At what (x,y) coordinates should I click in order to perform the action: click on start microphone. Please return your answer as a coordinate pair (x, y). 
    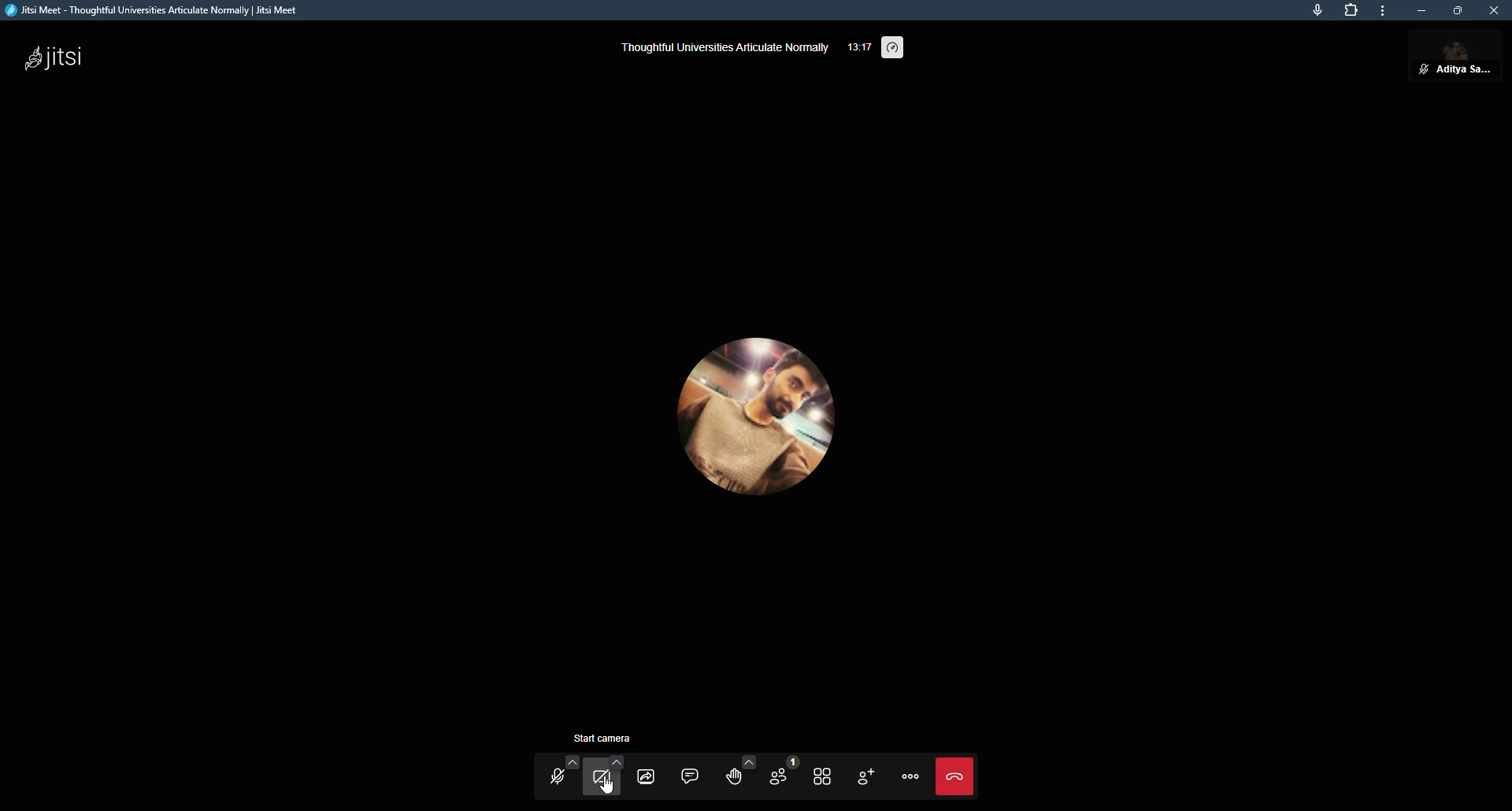
    Looking at the image, I should click on (559, 776).